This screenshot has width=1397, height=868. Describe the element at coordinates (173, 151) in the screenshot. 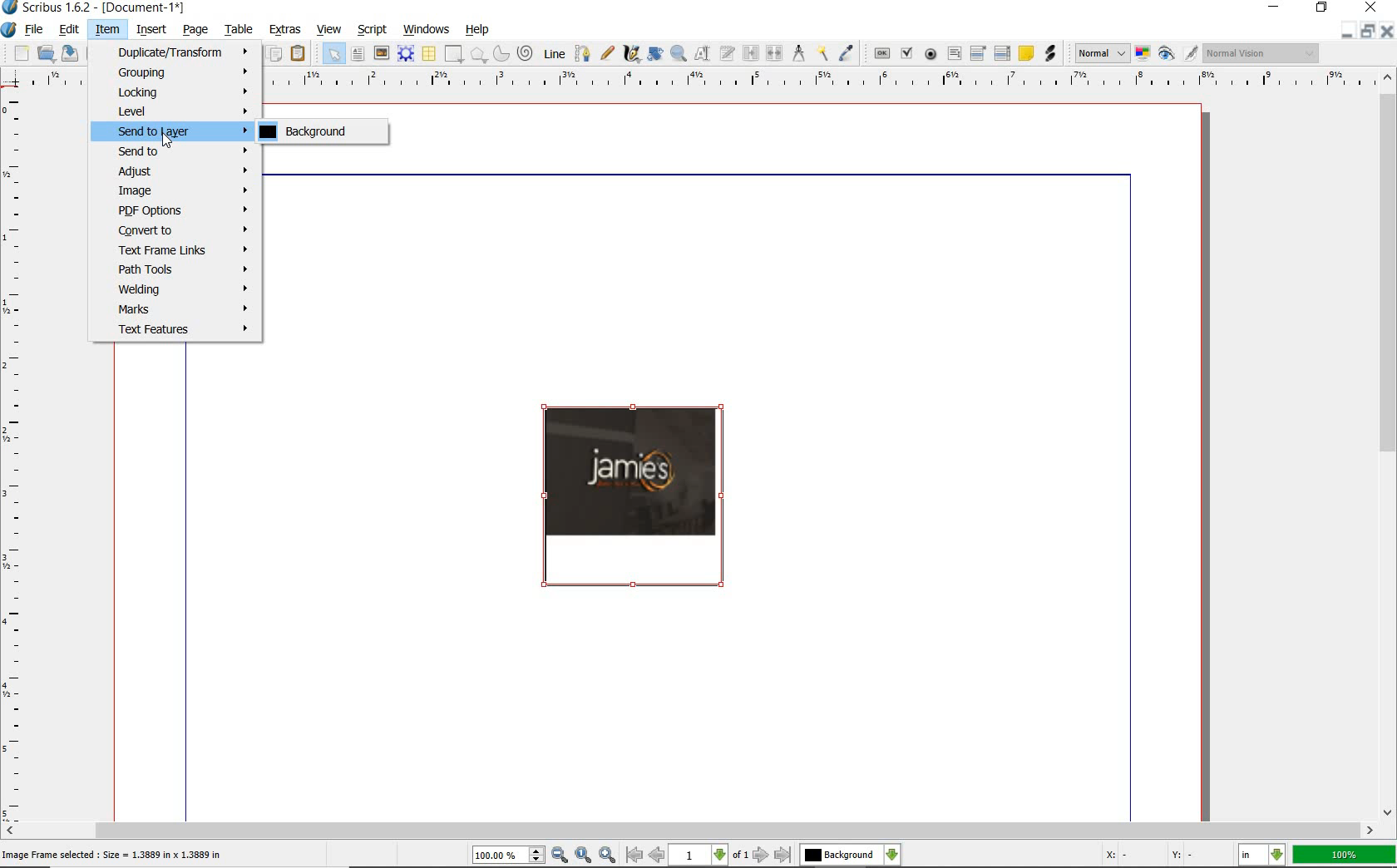

I see `Send to` at that location.